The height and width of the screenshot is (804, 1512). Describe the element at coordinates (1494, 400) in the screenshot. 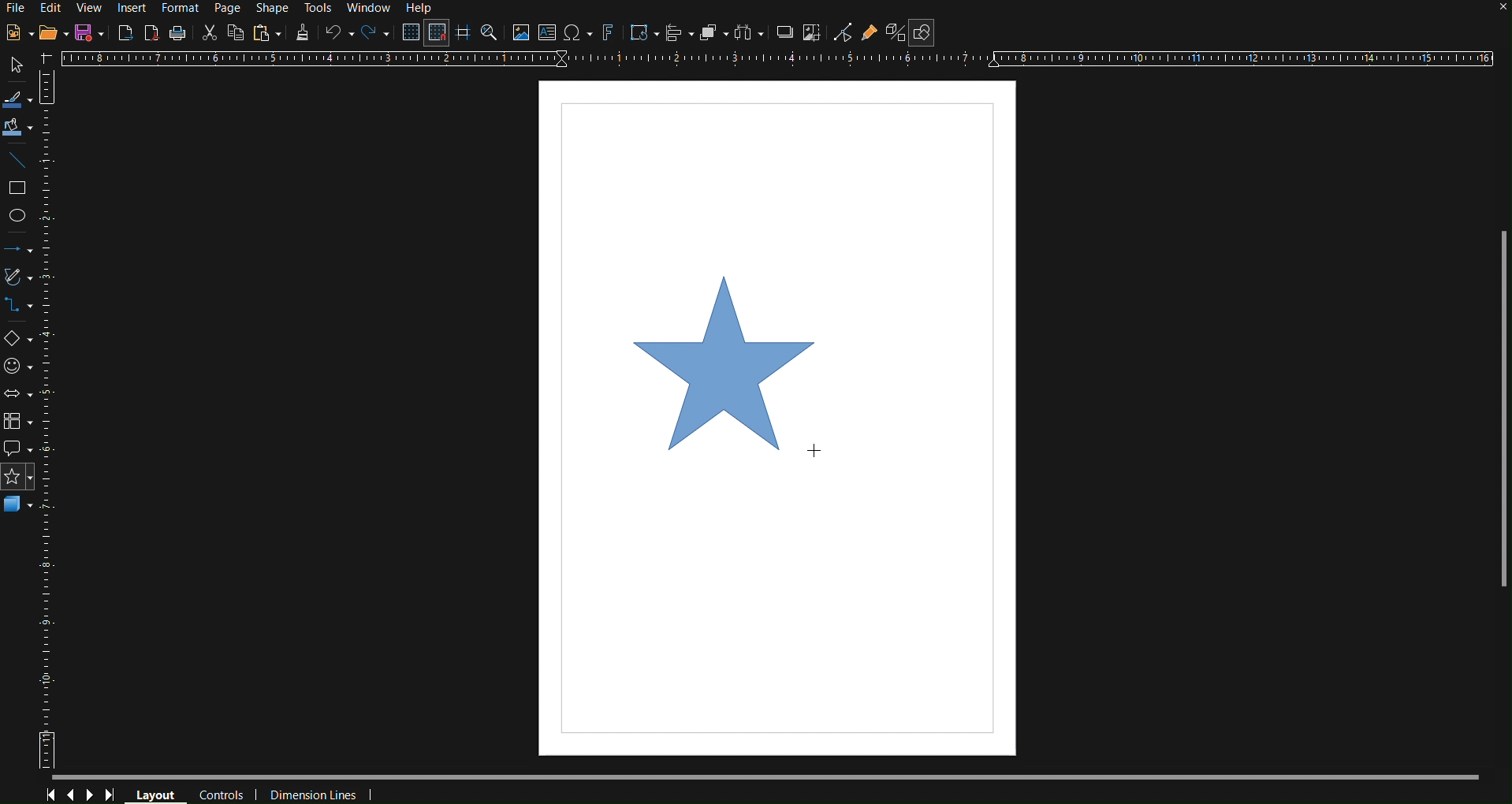

I see `Scrollbar` at that location.